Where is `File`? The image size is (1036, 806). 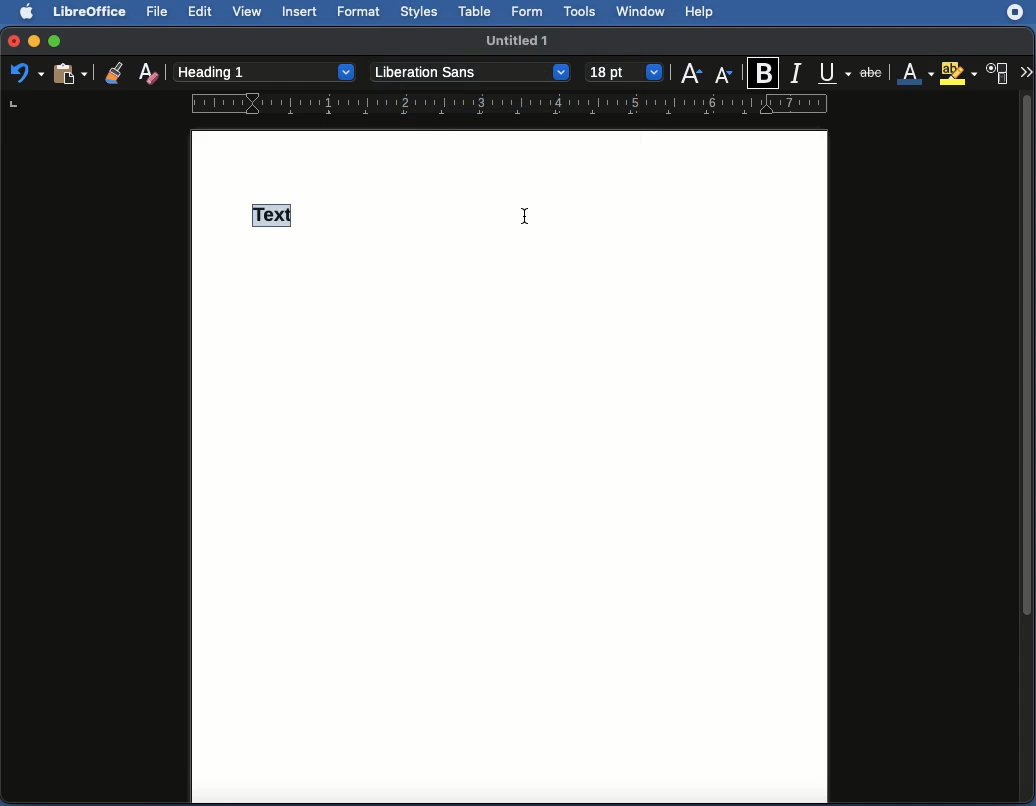
File is located at coordinates (159, 12).